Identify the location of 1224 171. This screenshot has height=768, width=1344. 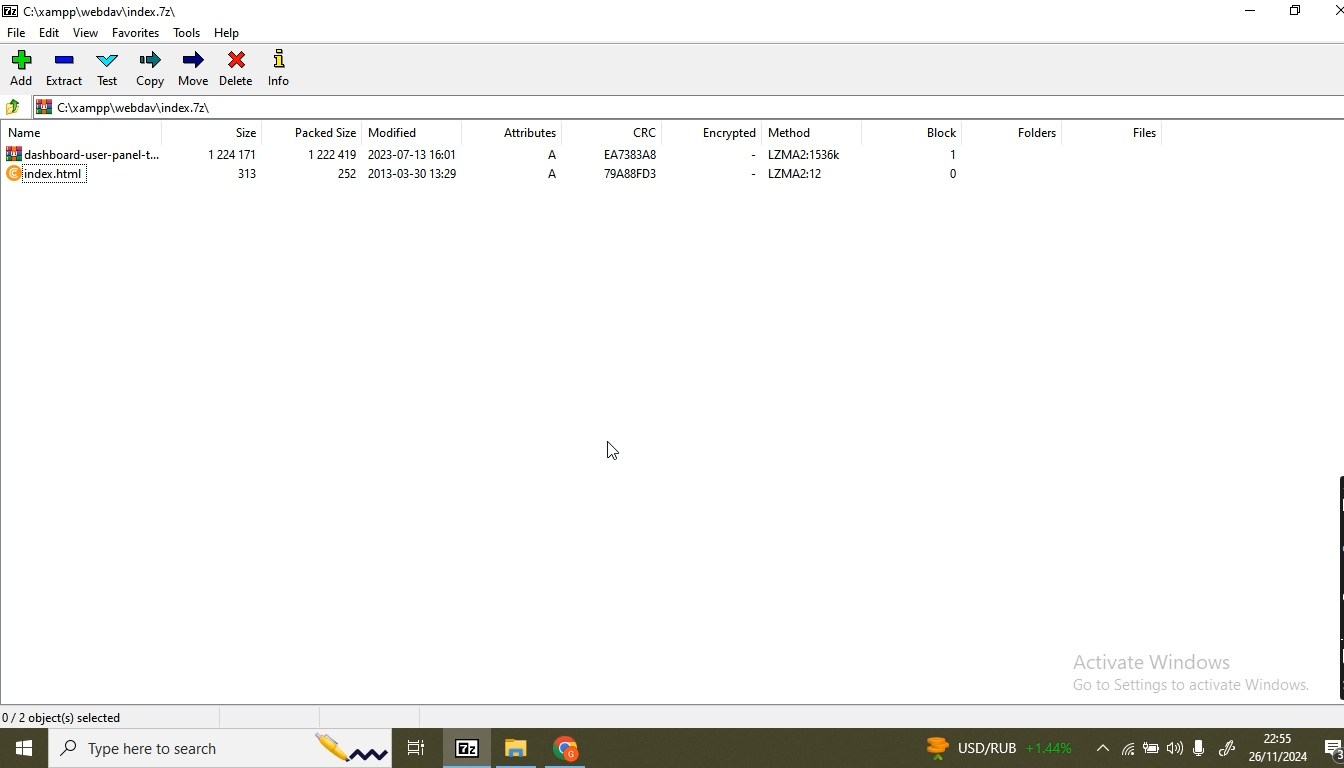
(230, 154).